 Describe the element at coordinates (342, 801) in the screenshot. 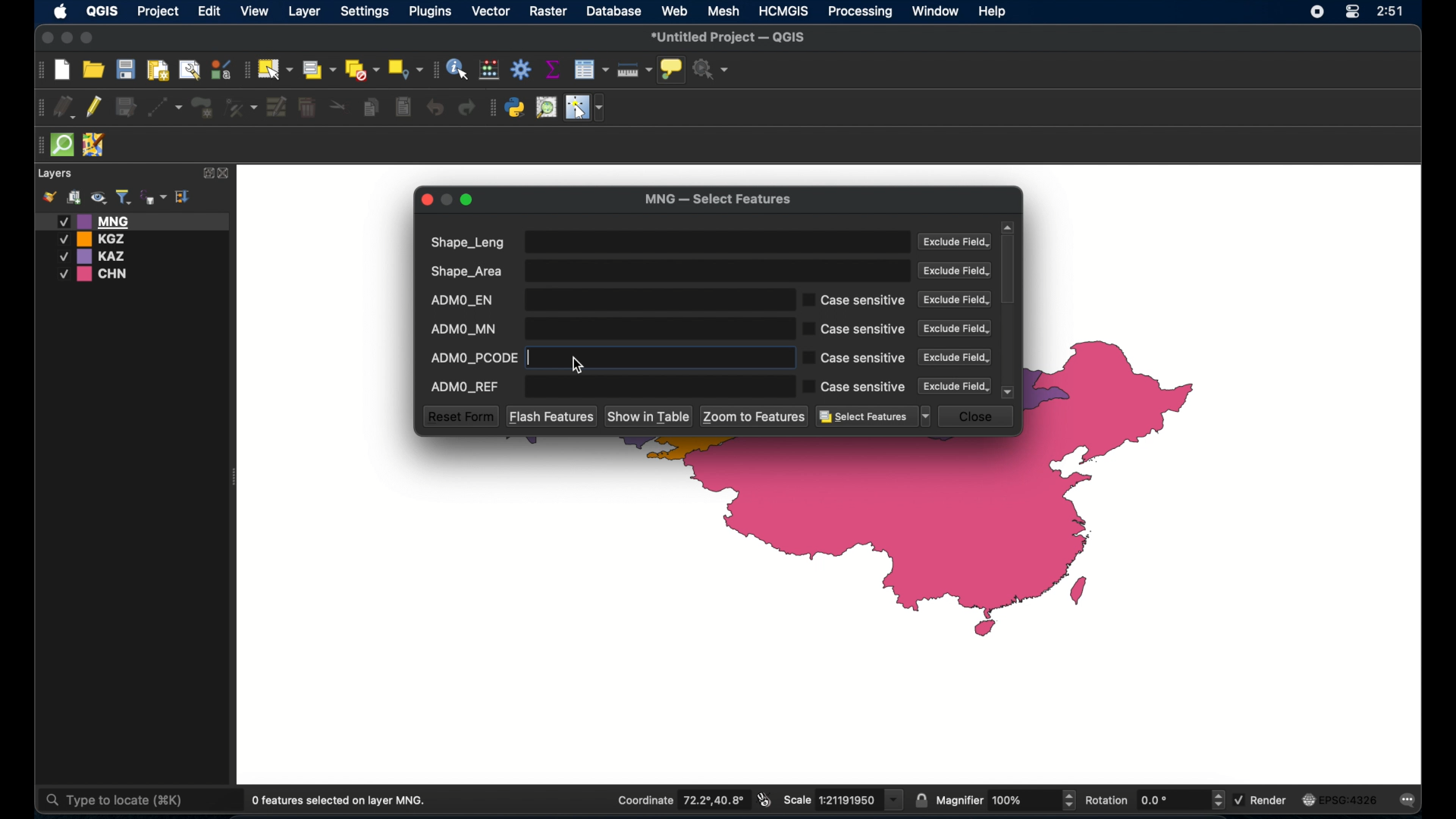

I see `0 features selected on layer MNG.` at that location.